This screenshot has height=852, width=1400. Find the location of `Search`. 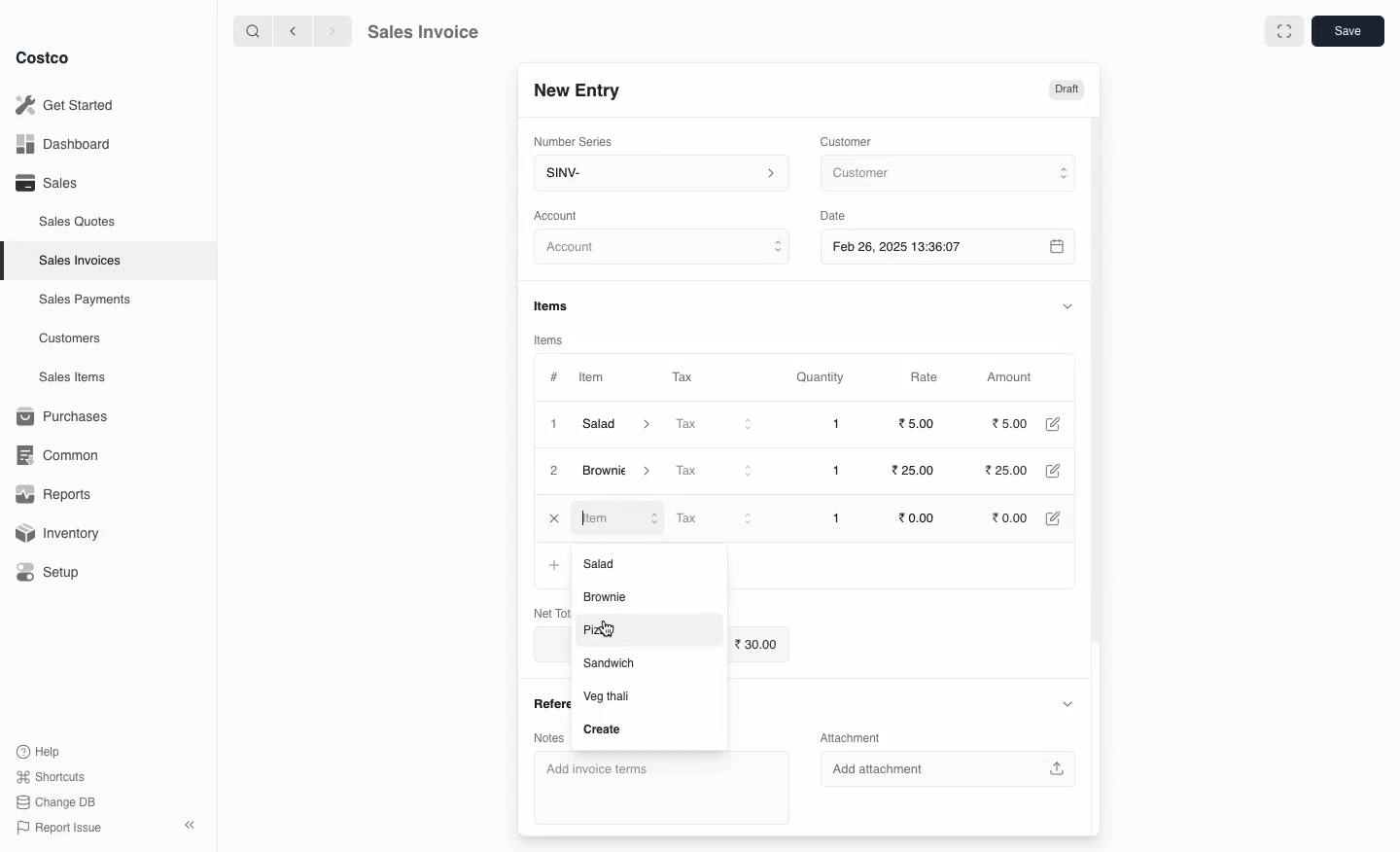

Search is located at coordinates (250, 30).